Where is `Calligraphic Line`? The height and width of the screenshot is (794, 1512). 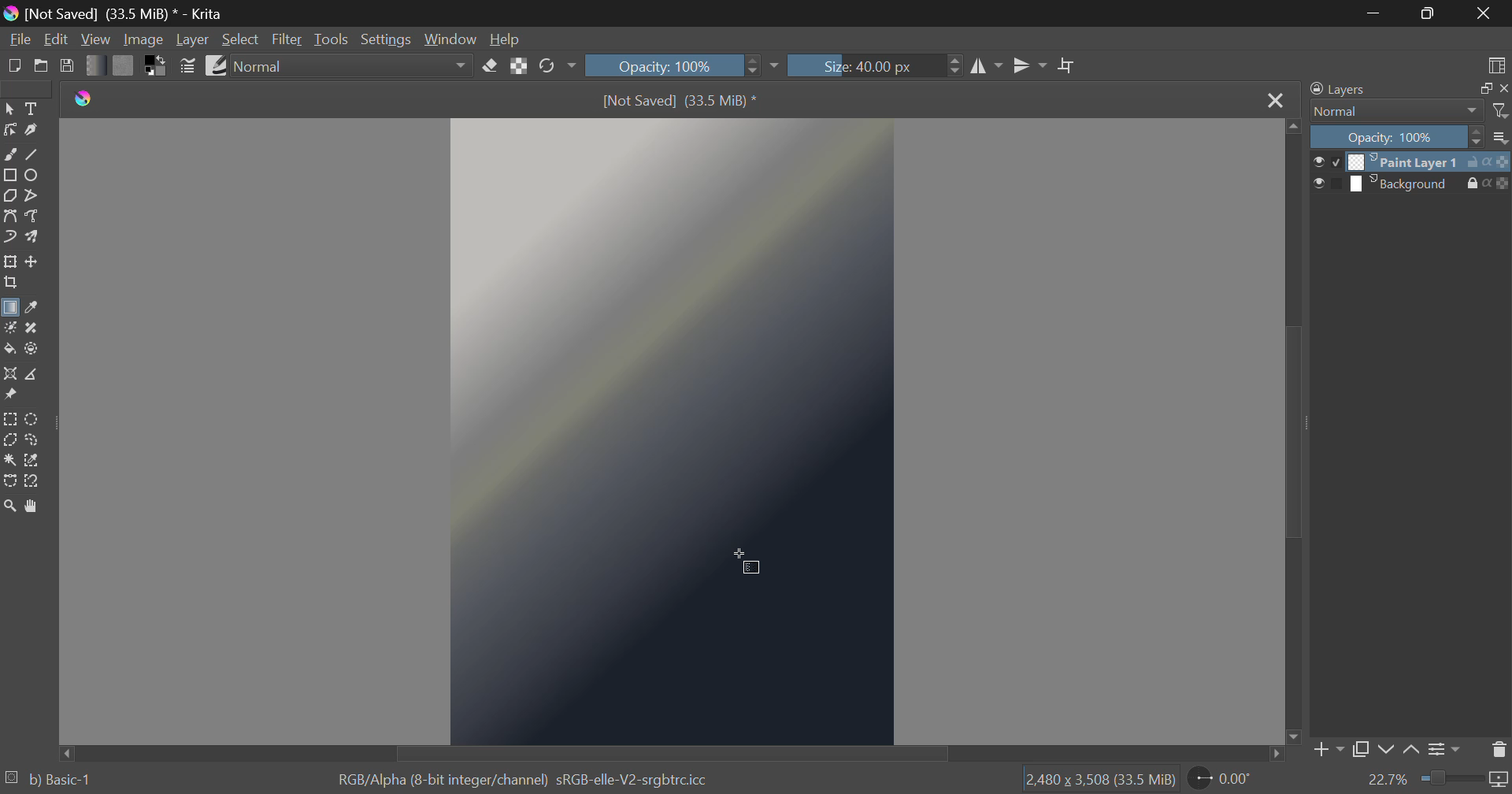
Calligraphic Line is located at coordinates (30, 130).